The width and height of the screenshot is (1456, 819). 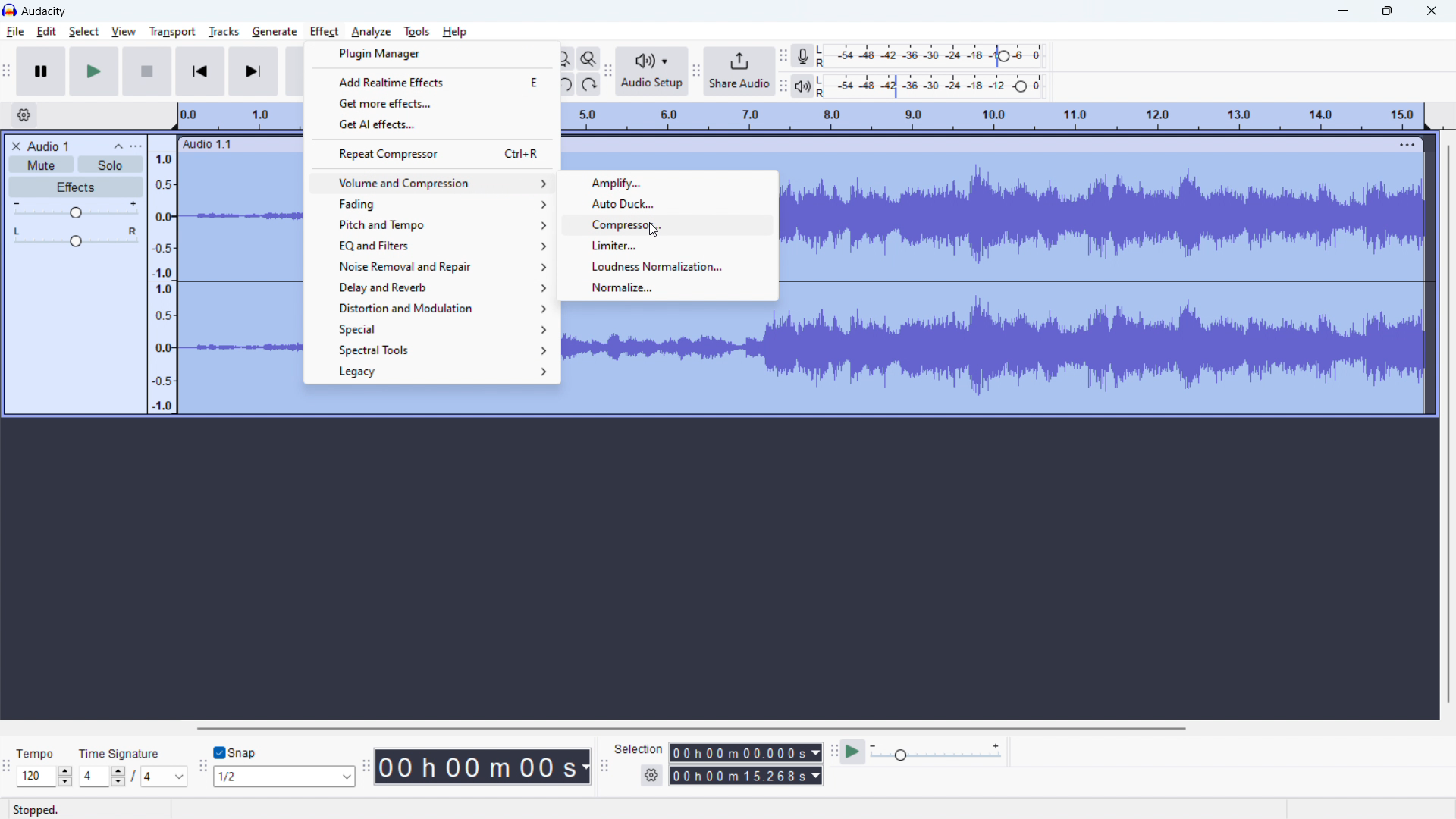 I want to click on pause, so click(x=41, y=71).